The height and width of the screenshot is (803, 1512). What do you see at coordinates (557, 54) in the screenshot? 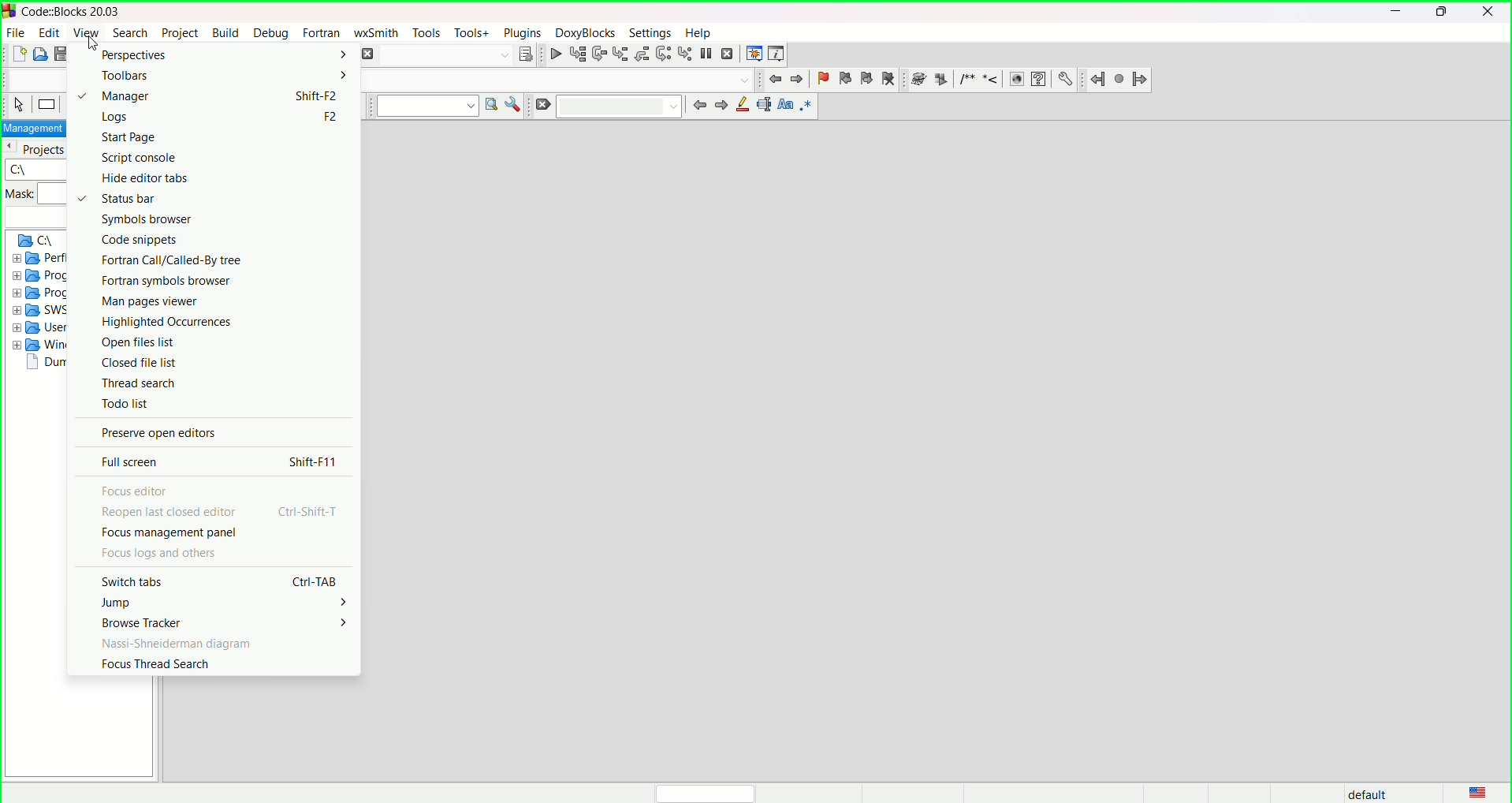
I see `debug` at bounding box center [557, 54].